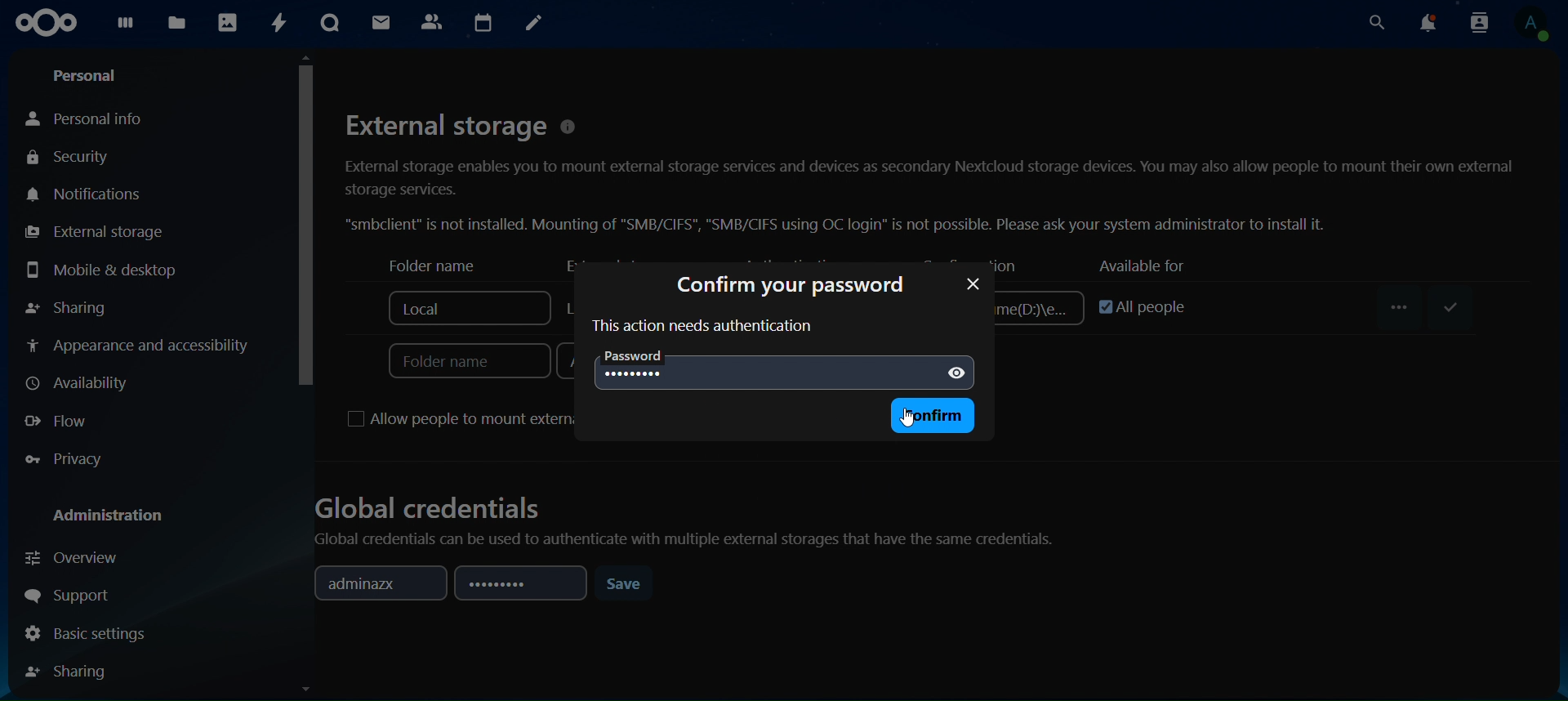 The image size is (1568, 701). Describe the element at coordinates (374, 583) in the screenshot. I see `adminazx` at that location.